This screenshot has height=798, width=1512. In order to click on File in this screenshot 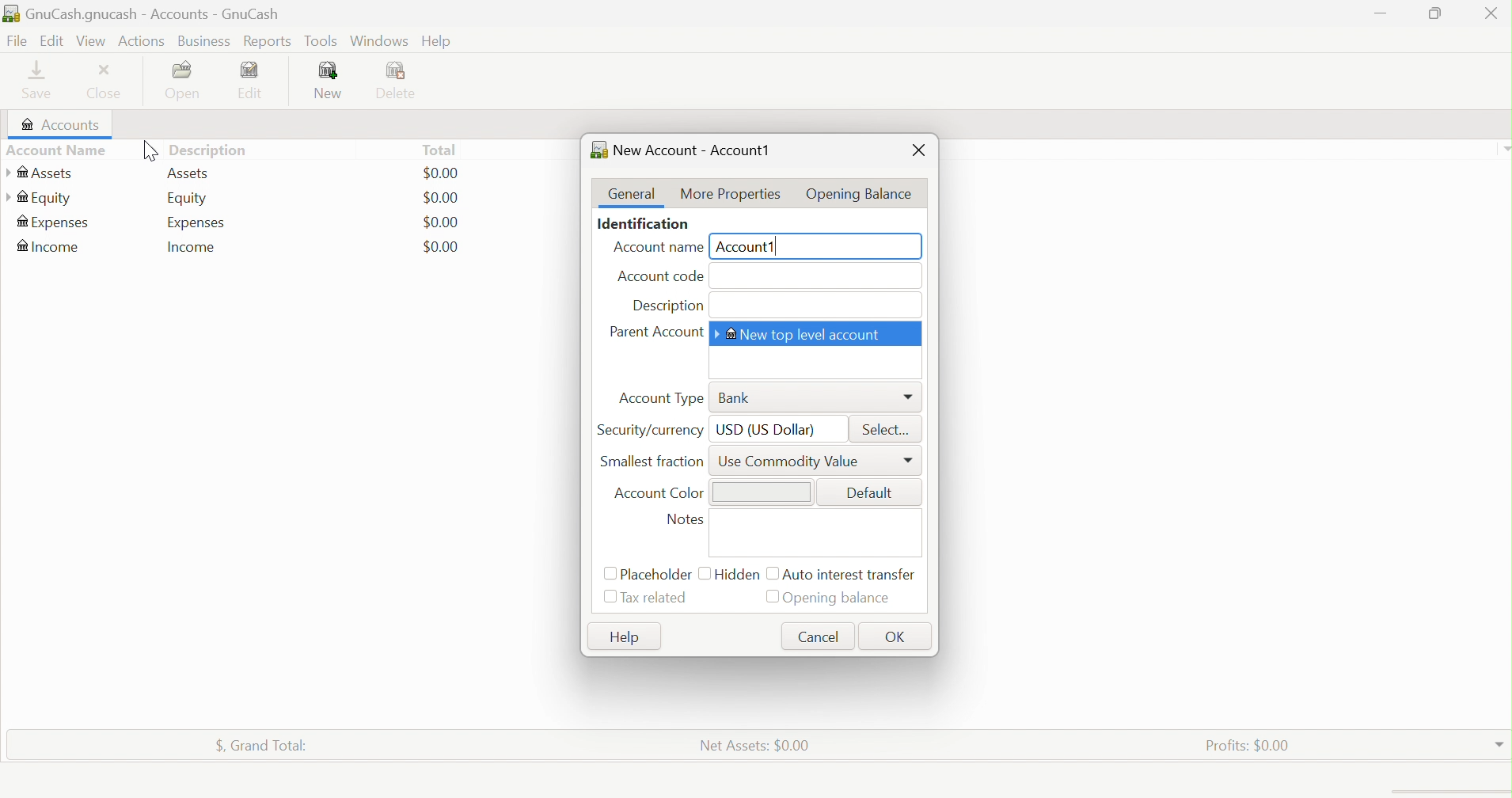, I will do `click(15, 41)`.